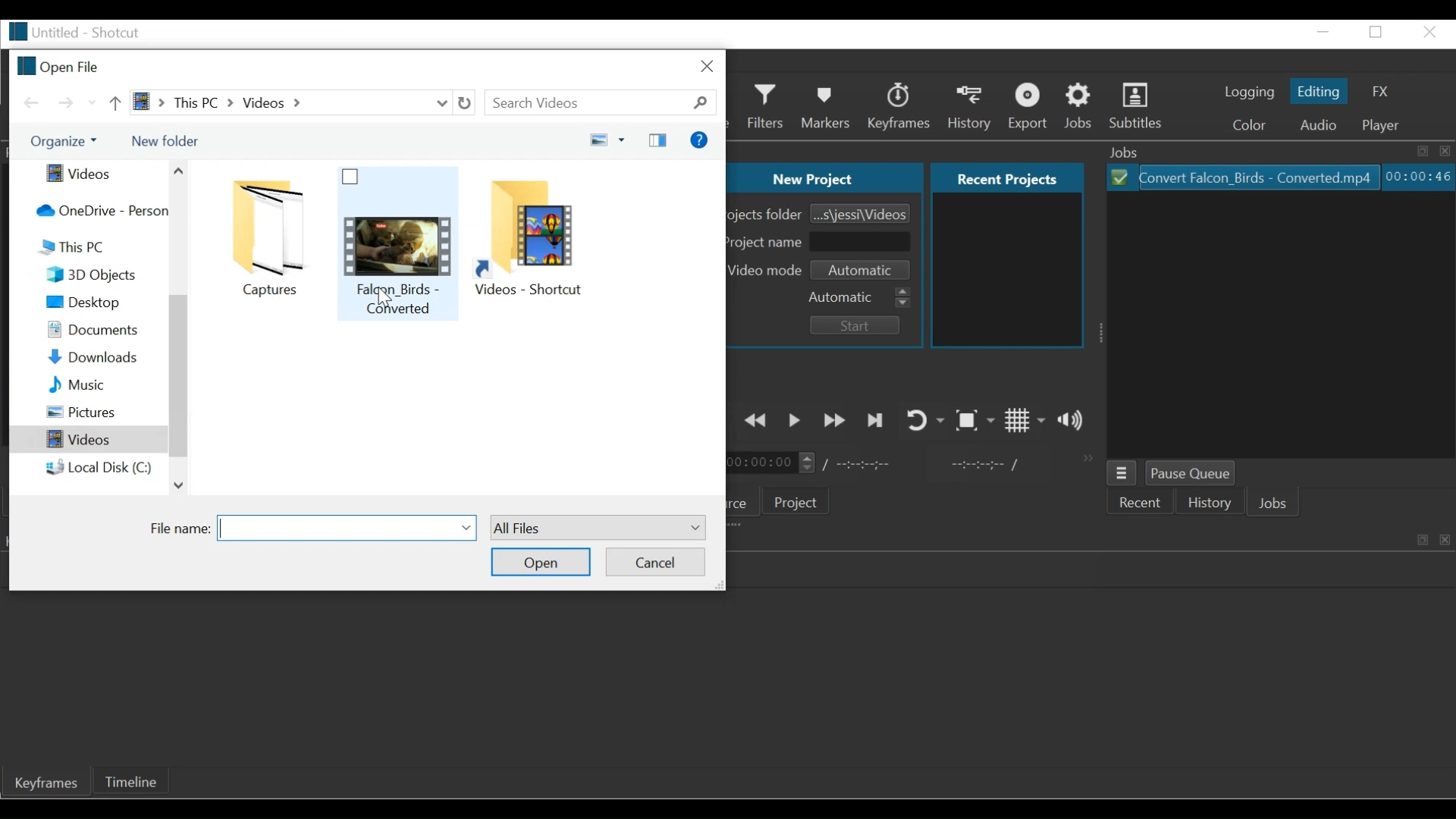  I want to click on History, so click(971, 108).